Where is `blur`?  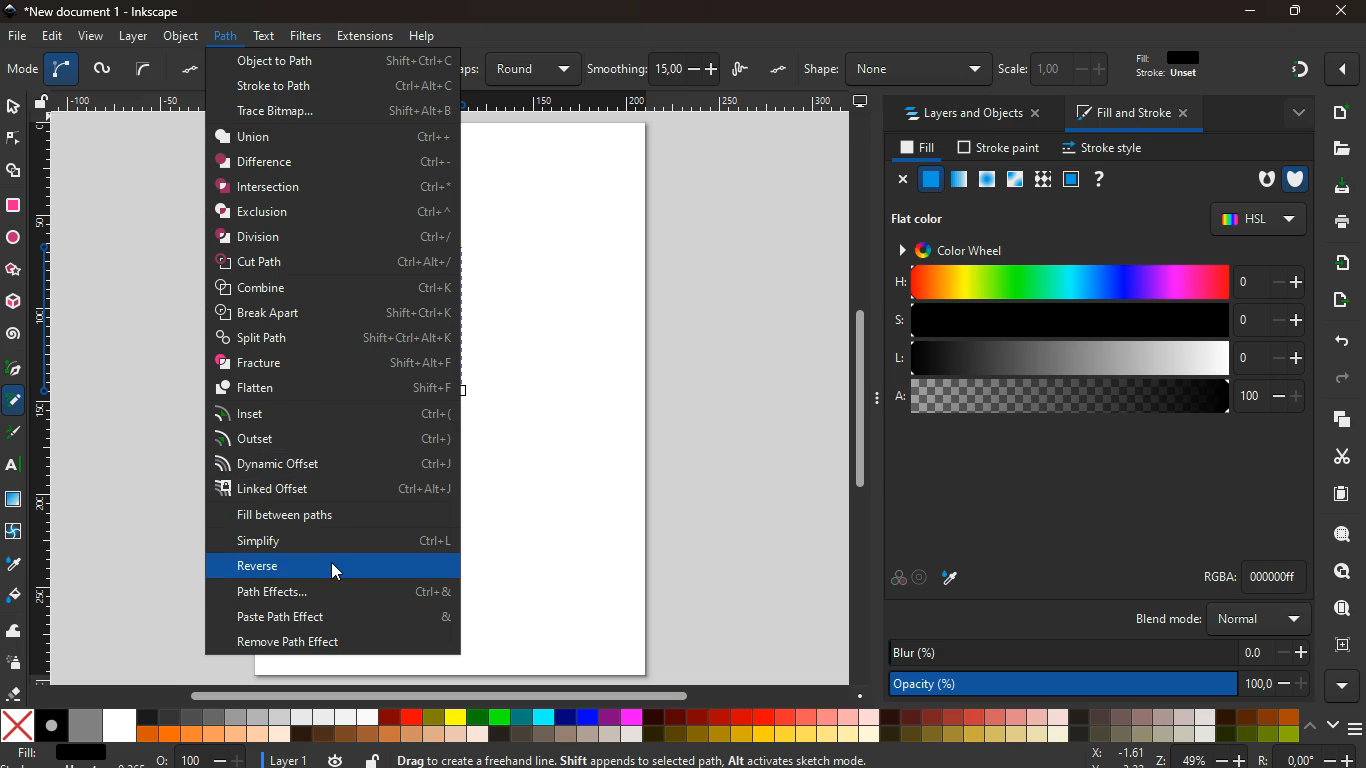
blur is located at coordinates (1100, 652).